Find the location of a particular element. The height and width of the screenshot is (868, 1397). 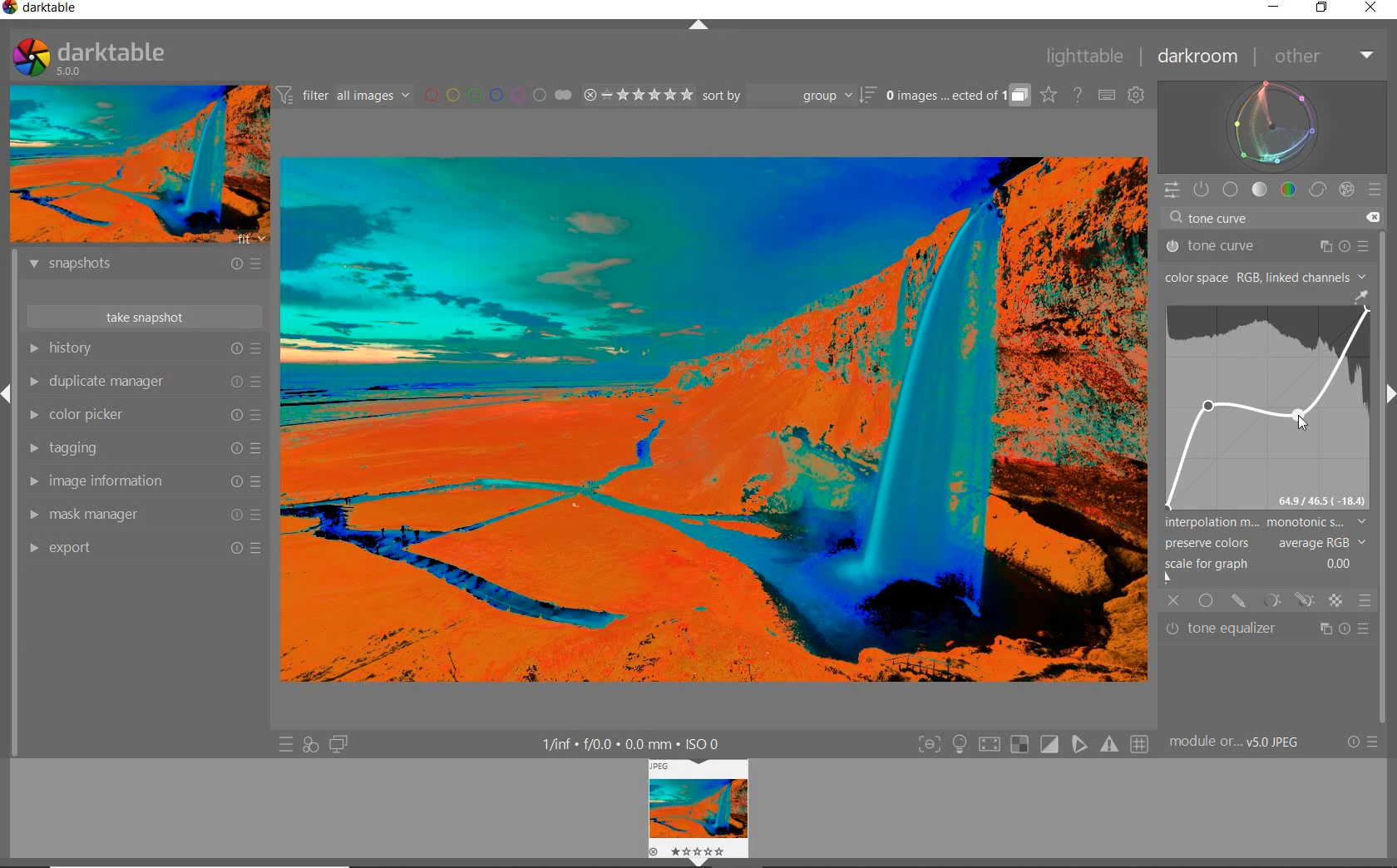

export is located at coordinates (146, 550).